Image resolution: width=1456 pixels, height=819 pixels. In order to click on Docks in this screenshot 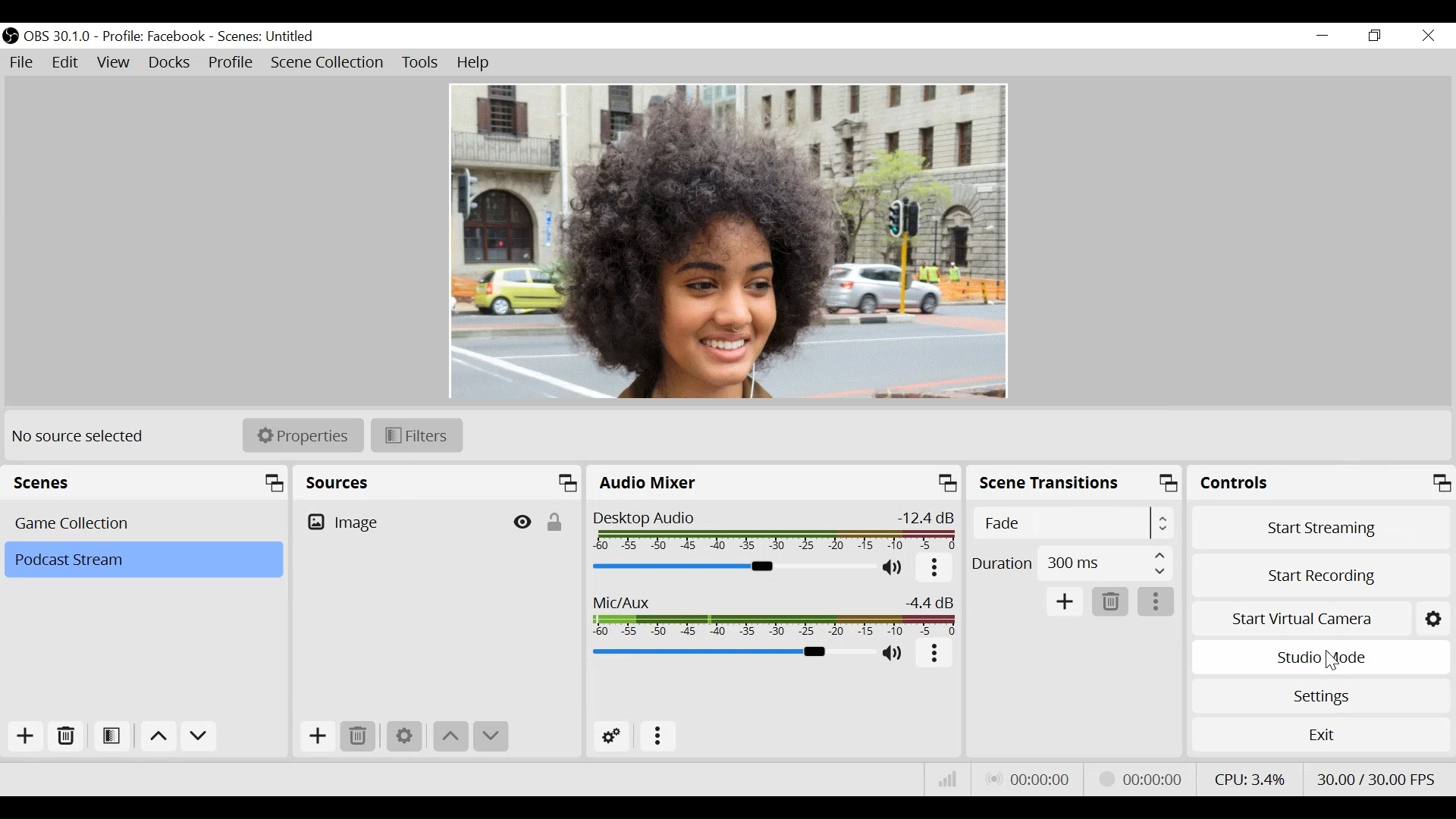, I will do `click(170, 63)`.